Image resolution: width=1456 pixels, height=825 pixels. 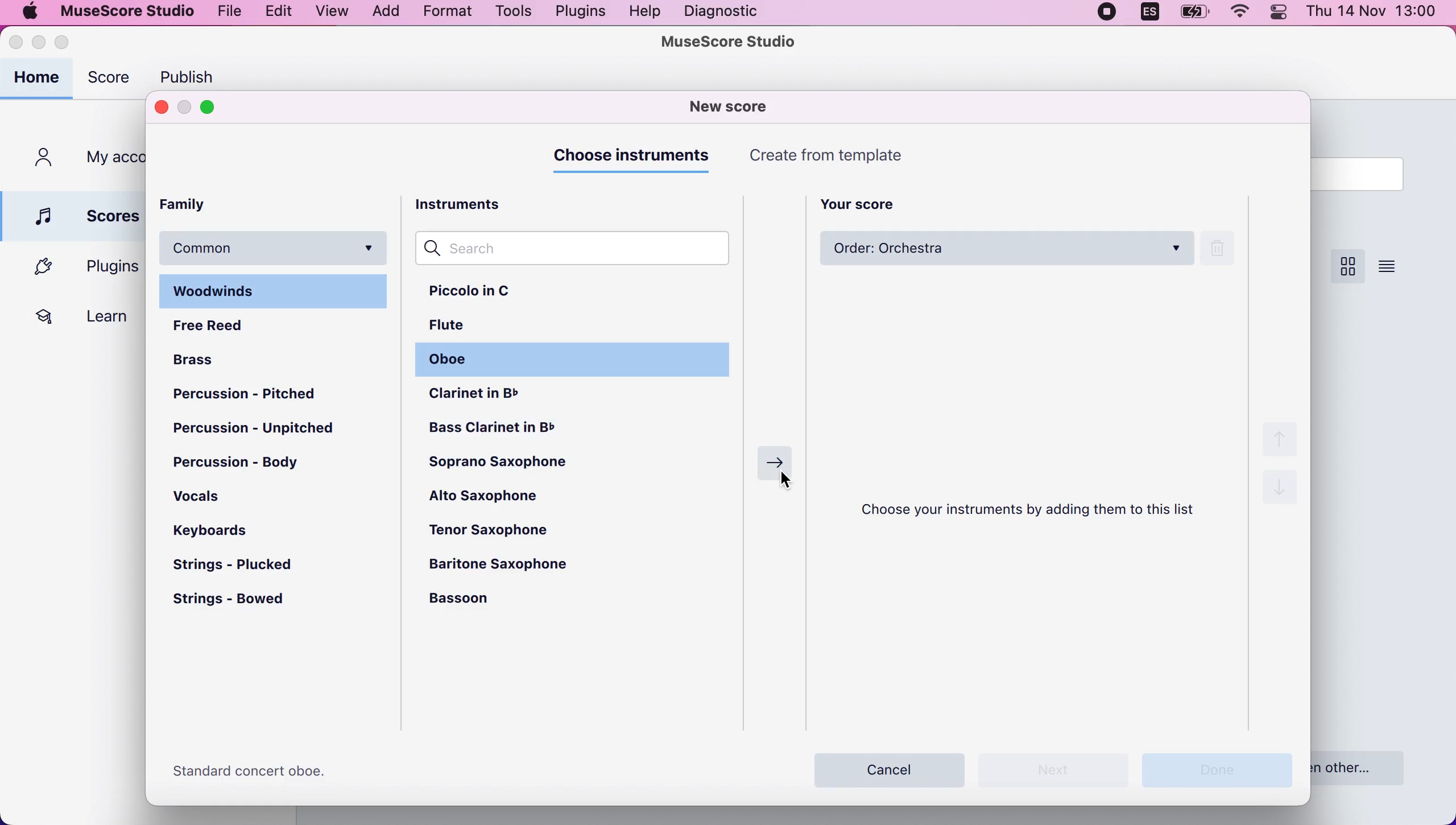 What do you see at coordinates (76, 214) in the screenshot?
I see `scores` at bounding box center [76, 214].